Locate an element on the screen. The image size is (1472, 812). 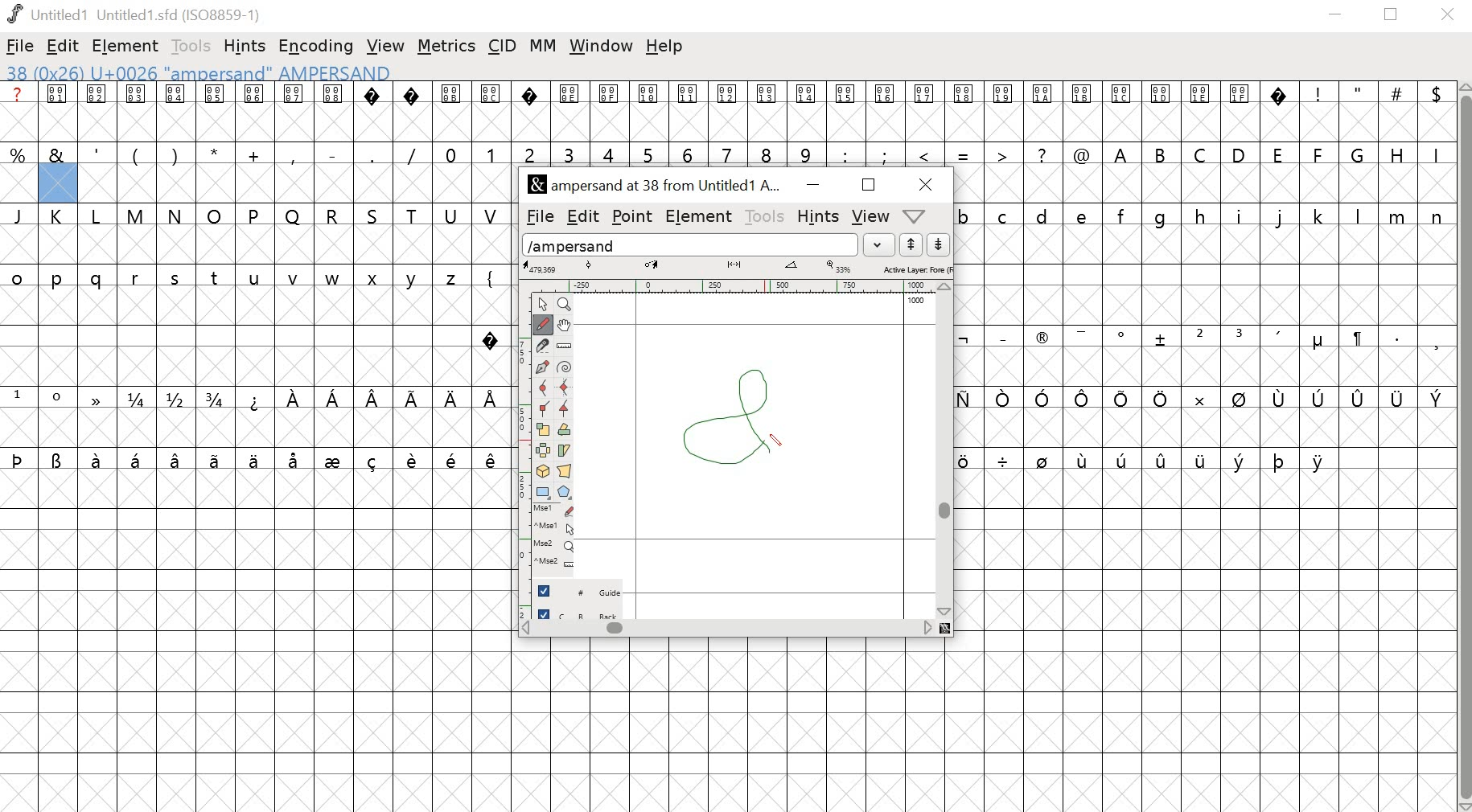
horizontal ruler is located at coordinates (736, 285).